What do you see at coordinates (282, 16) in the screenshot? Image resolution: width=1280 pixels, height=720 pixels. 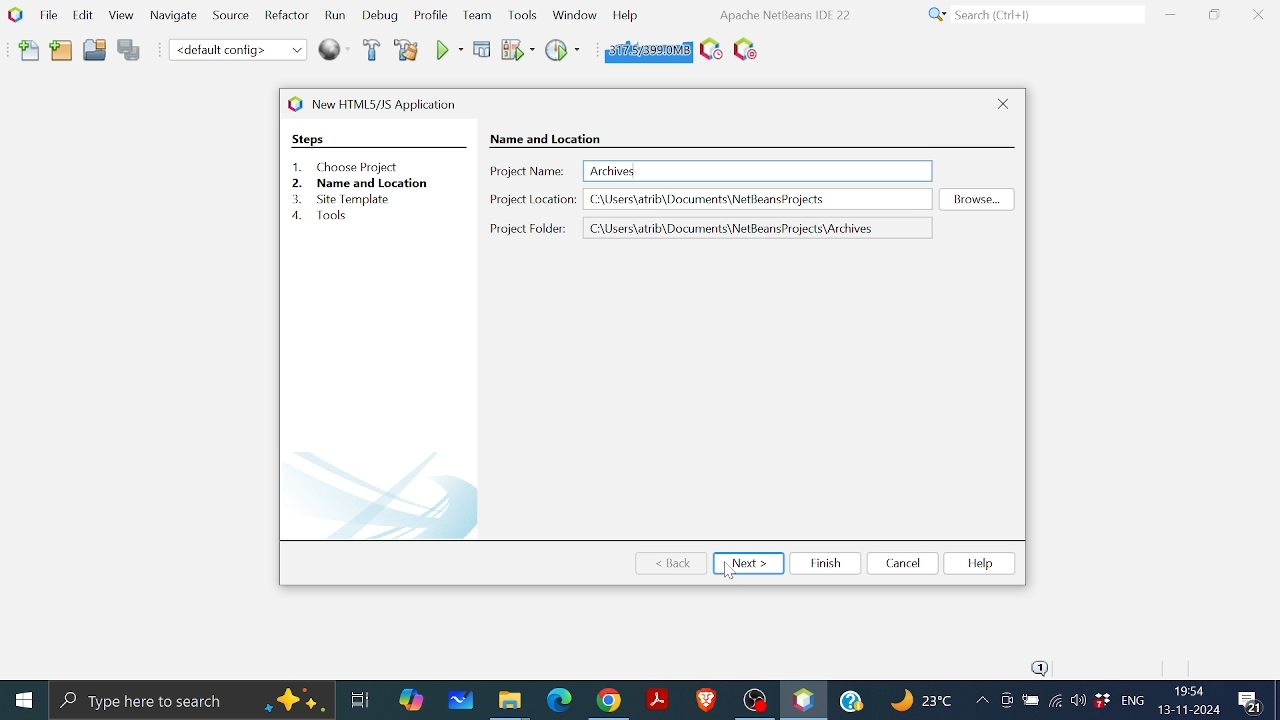 I see `Refractor` at bounding box center [282, 16].